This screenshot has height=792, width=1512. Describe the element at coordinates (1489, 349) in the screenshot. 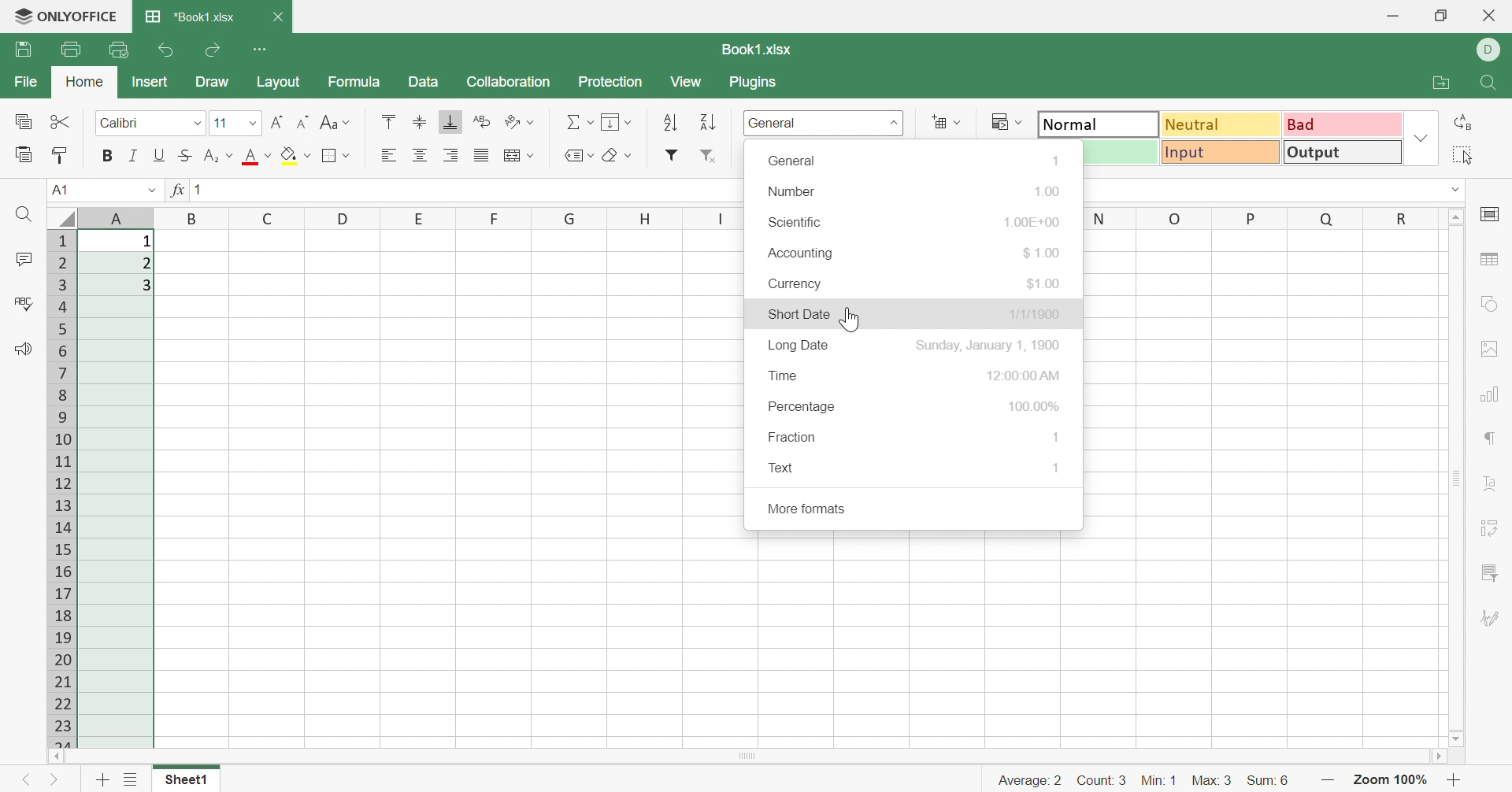

I see `Image settings` at that location.